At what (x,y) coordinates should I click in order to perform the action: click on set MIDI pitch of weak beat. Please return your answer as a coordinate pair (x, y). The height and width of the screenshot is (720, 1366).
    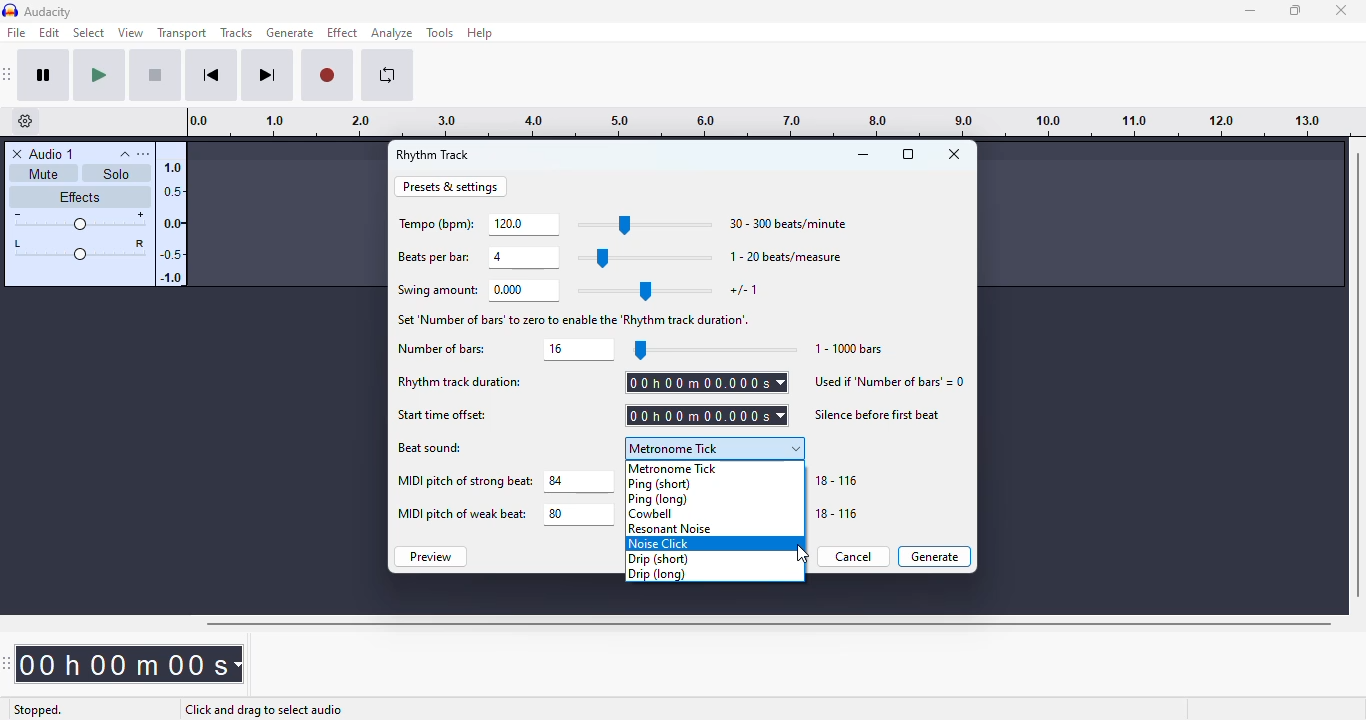
    Looking at the image, I should click on (580, 514).